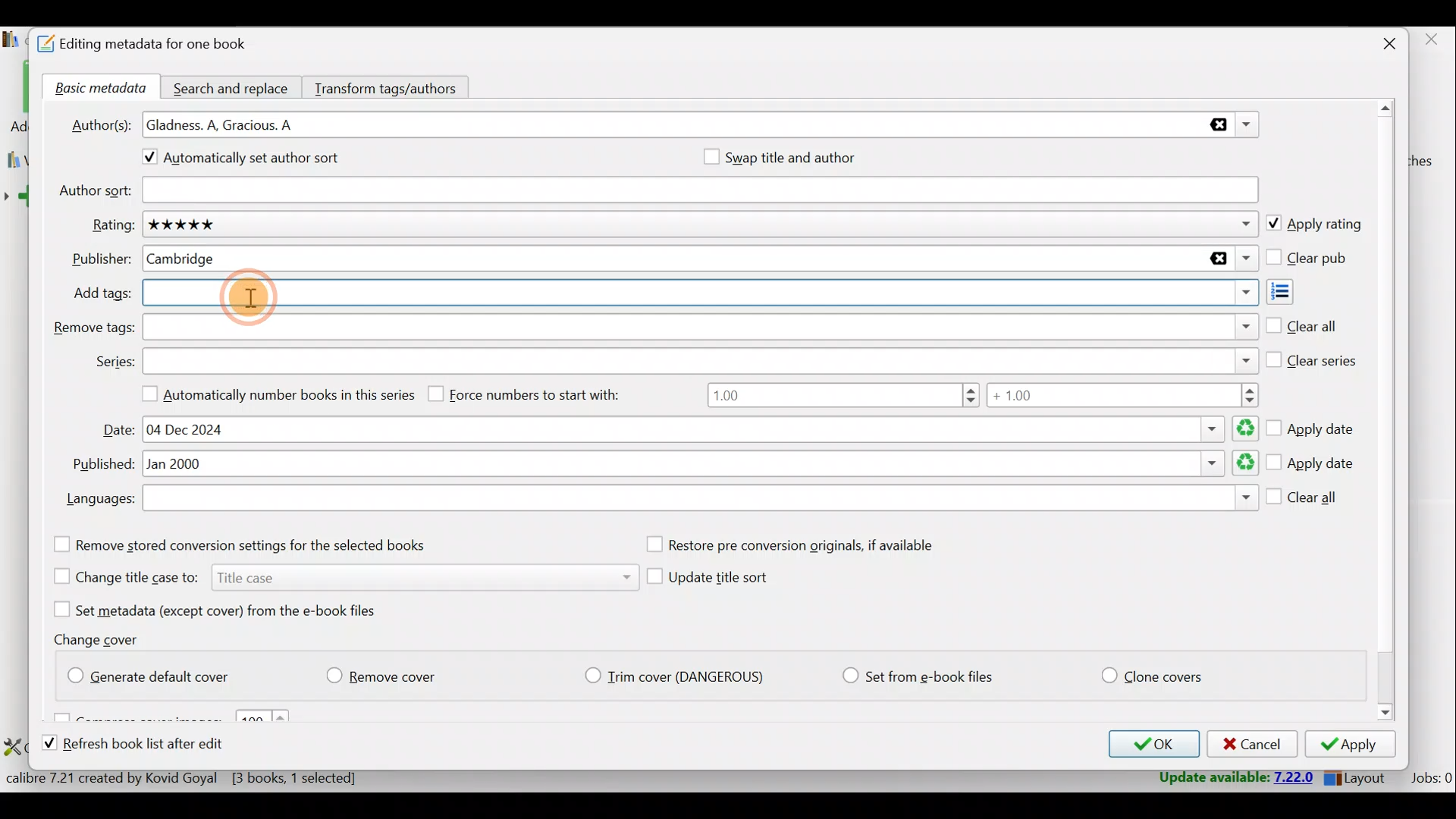 The image size is (1456, 819). Describe the element at coordinates (808, 157) in the screenshot. I see `Swap title and author` at that location.